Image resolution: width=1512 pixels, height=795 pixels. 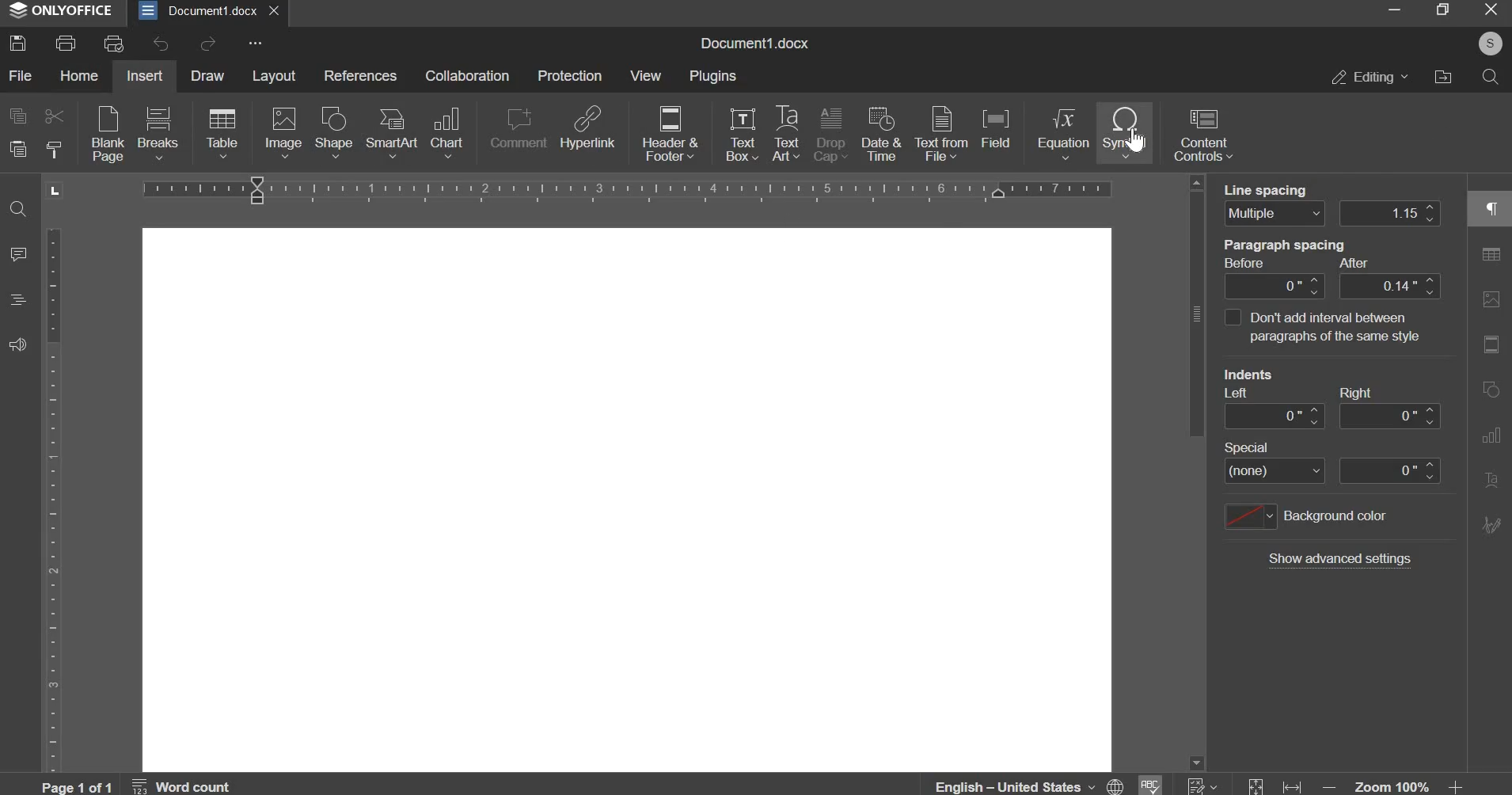 I want to click on name of document, so click(x=754, y=44).